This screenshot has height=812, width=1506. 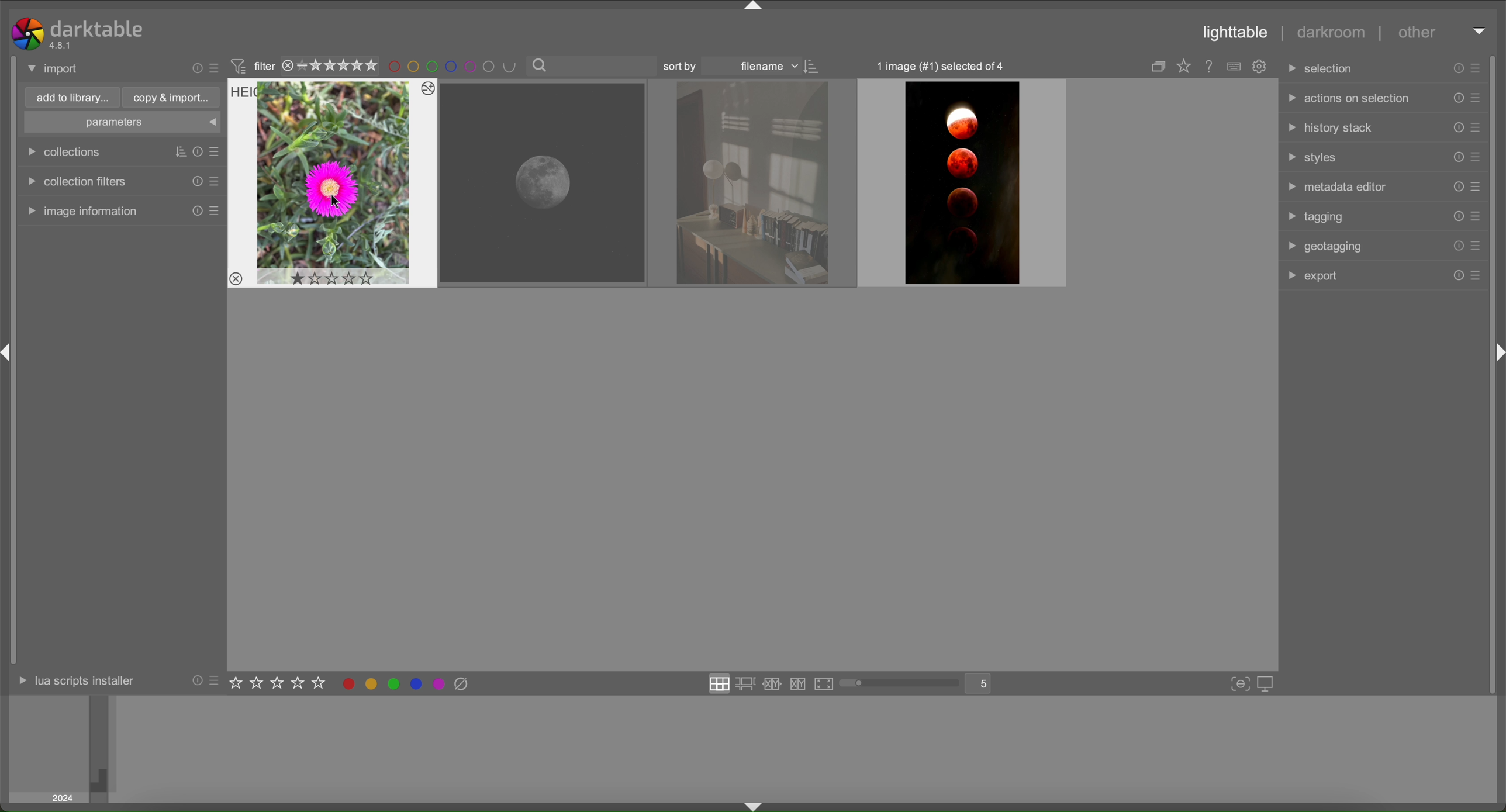 I want to click on define shortcuts, so click(x=1234, y=67).